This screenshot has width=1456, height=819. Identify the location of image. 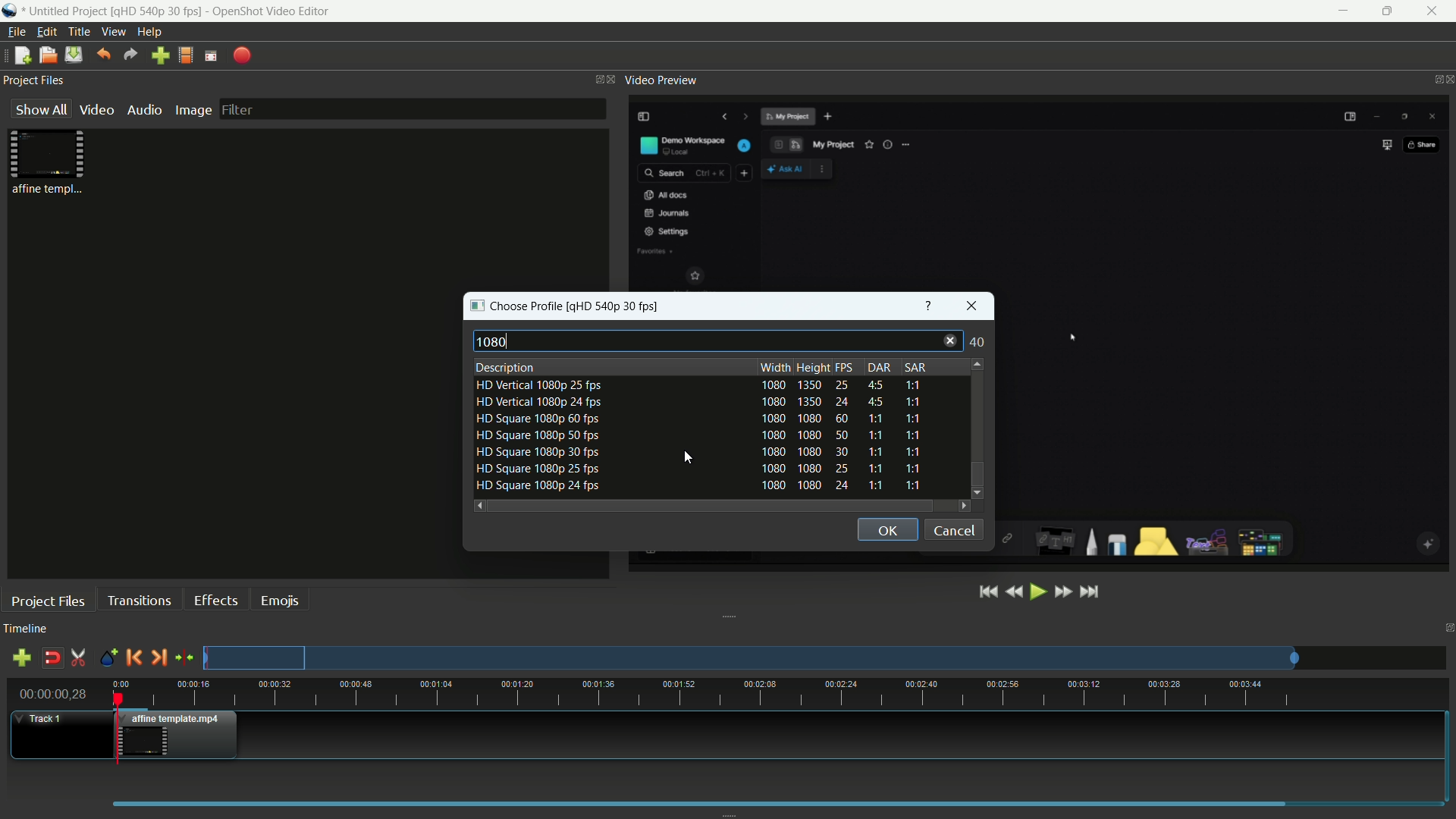
(193, 111).